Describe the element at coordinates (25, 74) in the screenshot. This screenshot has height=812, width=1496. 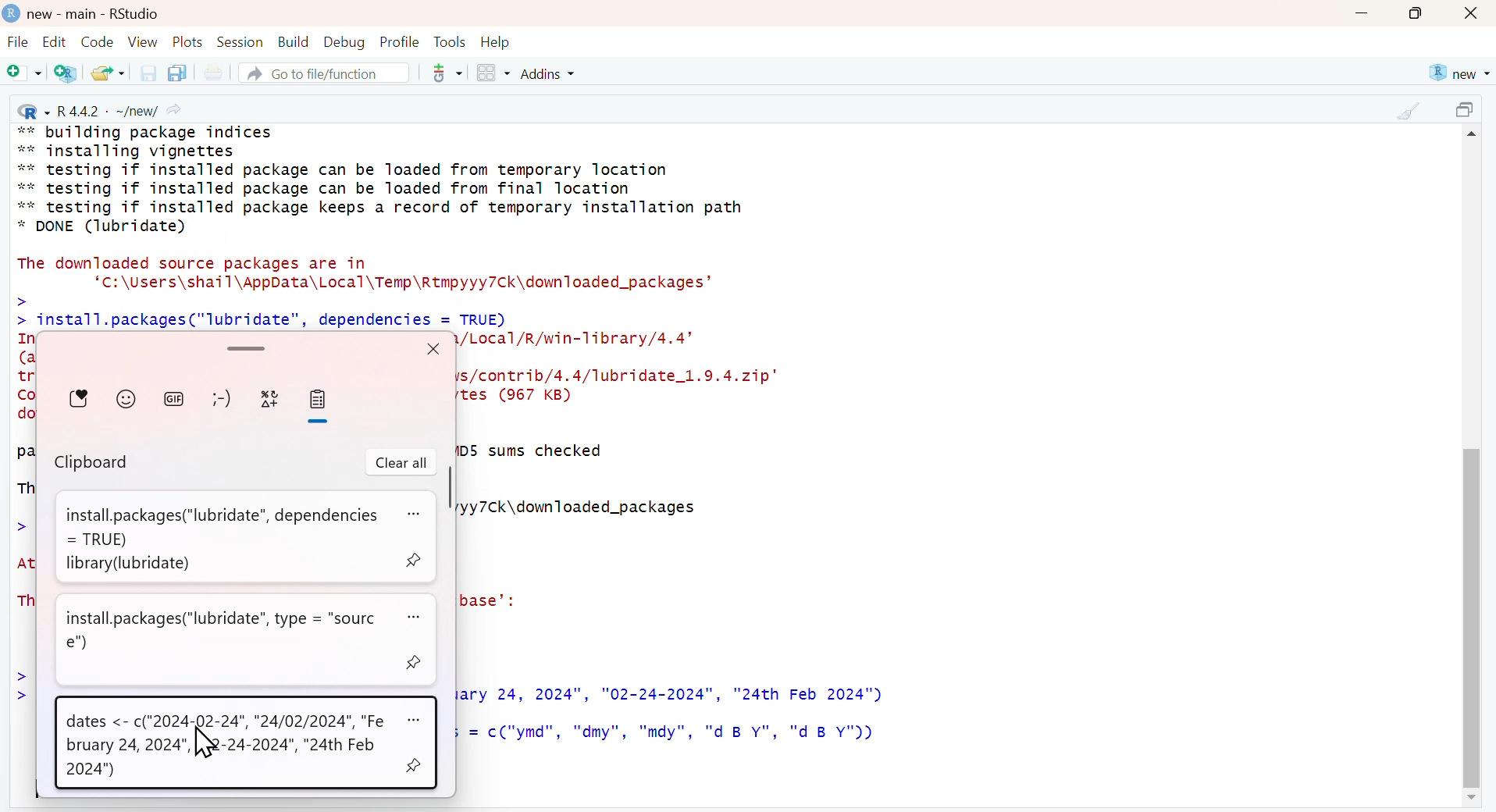
I see `New file` at that location.